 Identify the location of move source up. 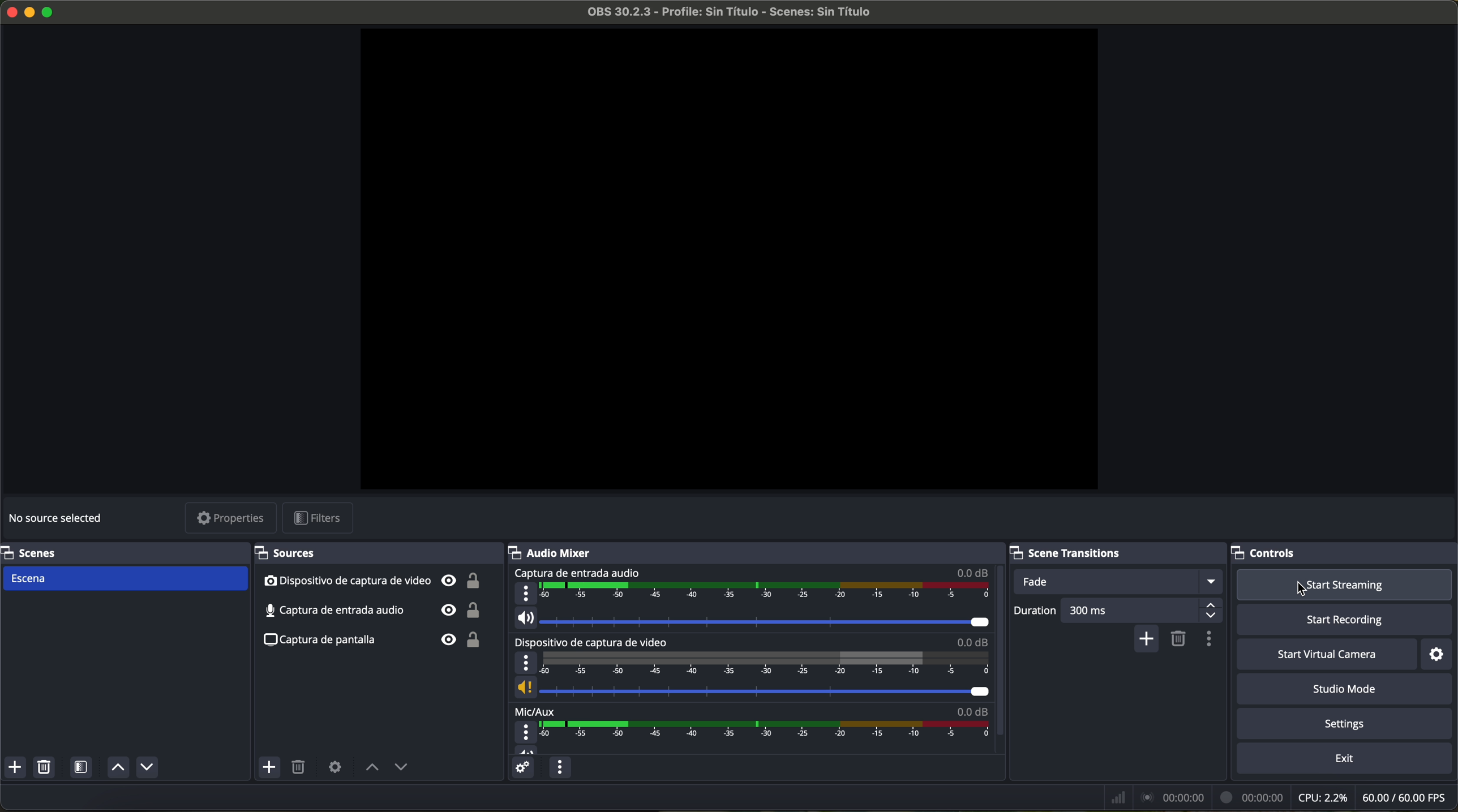
(116, 768).